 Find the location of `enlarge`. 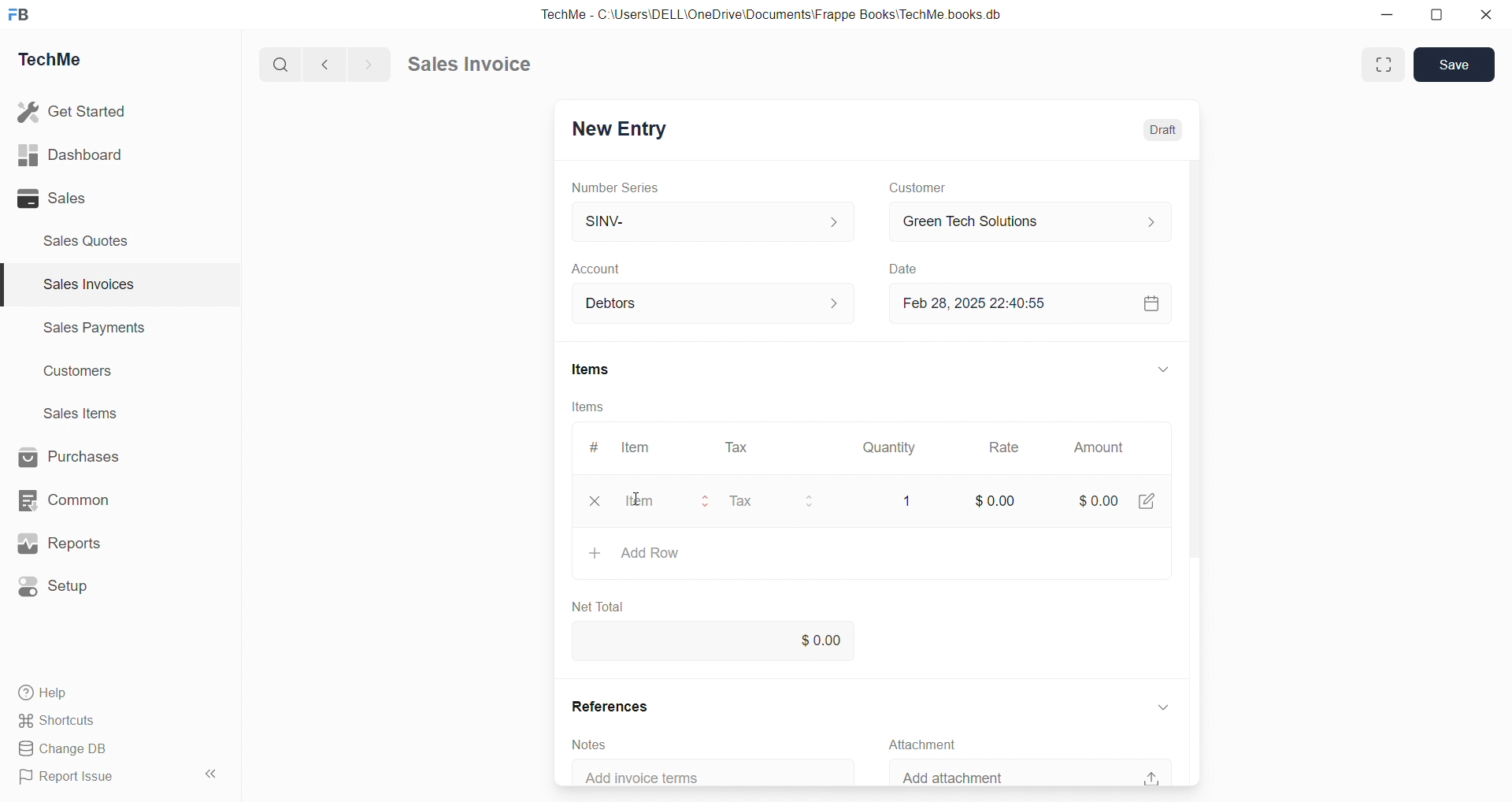

enlarge is located at coordinates (1384, 65).